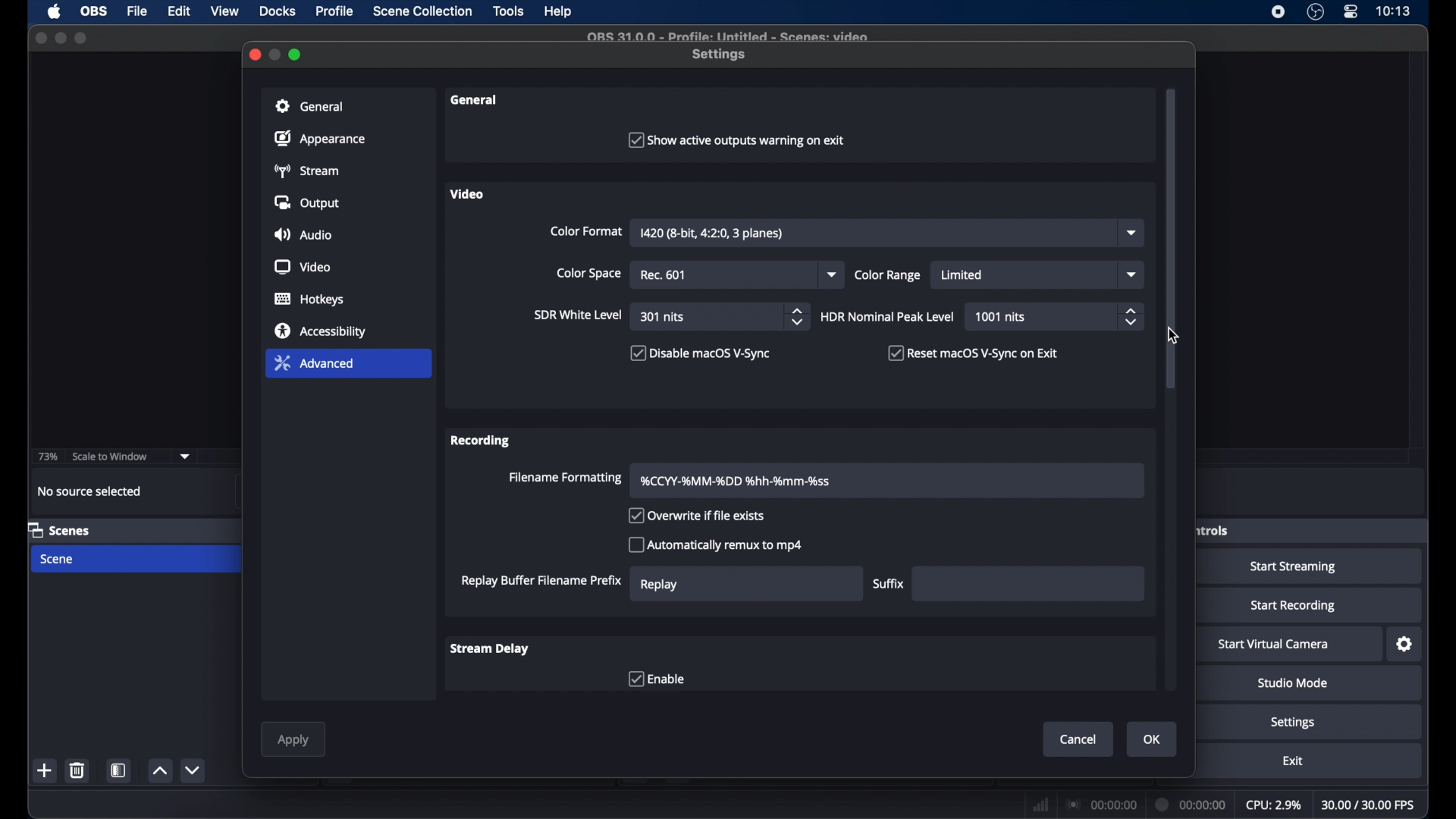 This screenshot has width=1456, height=819. I want to click on no source selected, so click(90, 491).